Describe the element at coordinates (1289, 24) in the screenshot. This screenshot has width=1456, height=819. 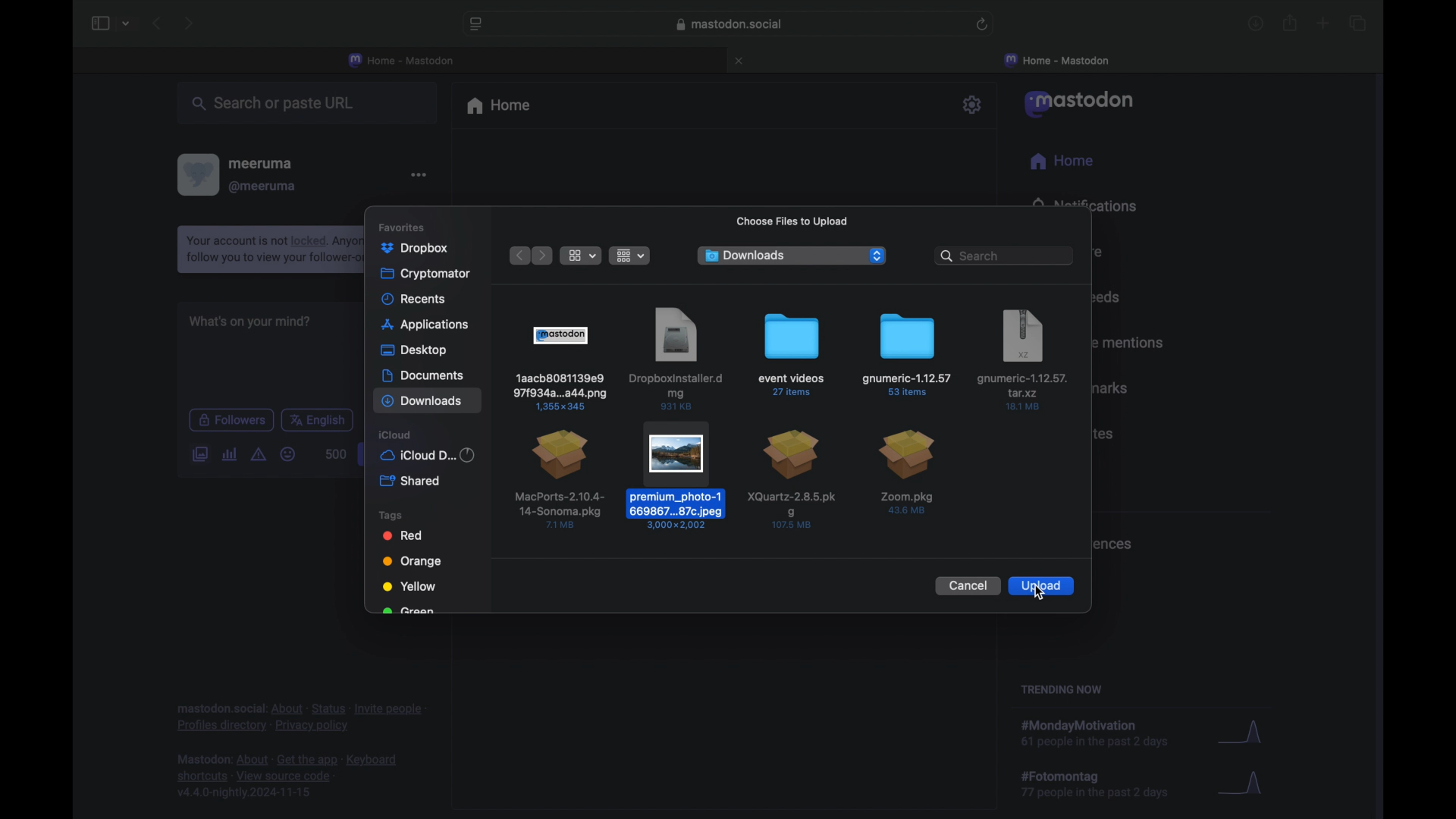
I see `share` at that location.